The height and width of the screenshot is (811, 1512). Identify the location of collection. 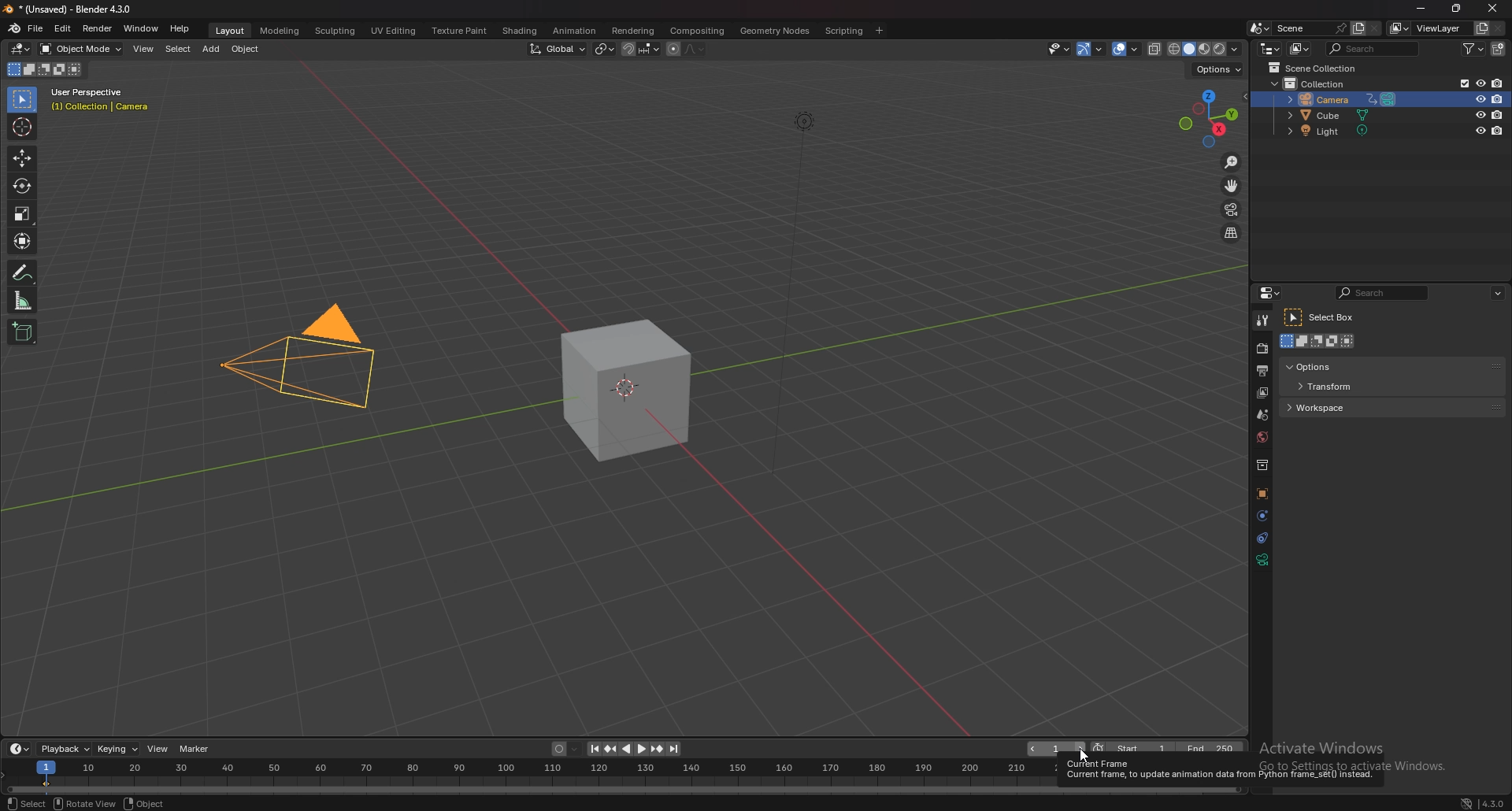
(1316, 83).